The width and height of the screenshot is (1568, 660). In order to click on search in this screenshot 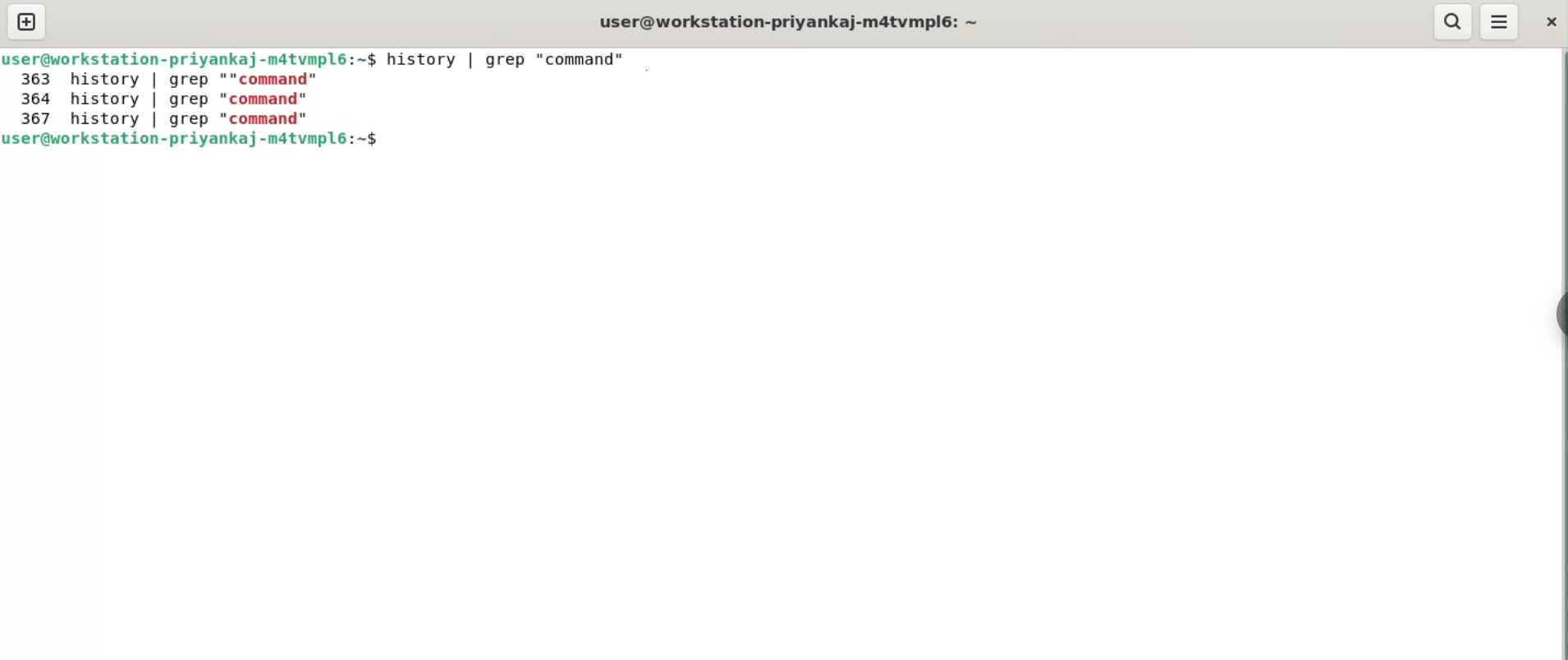, I will do `click(1450, 21)`.